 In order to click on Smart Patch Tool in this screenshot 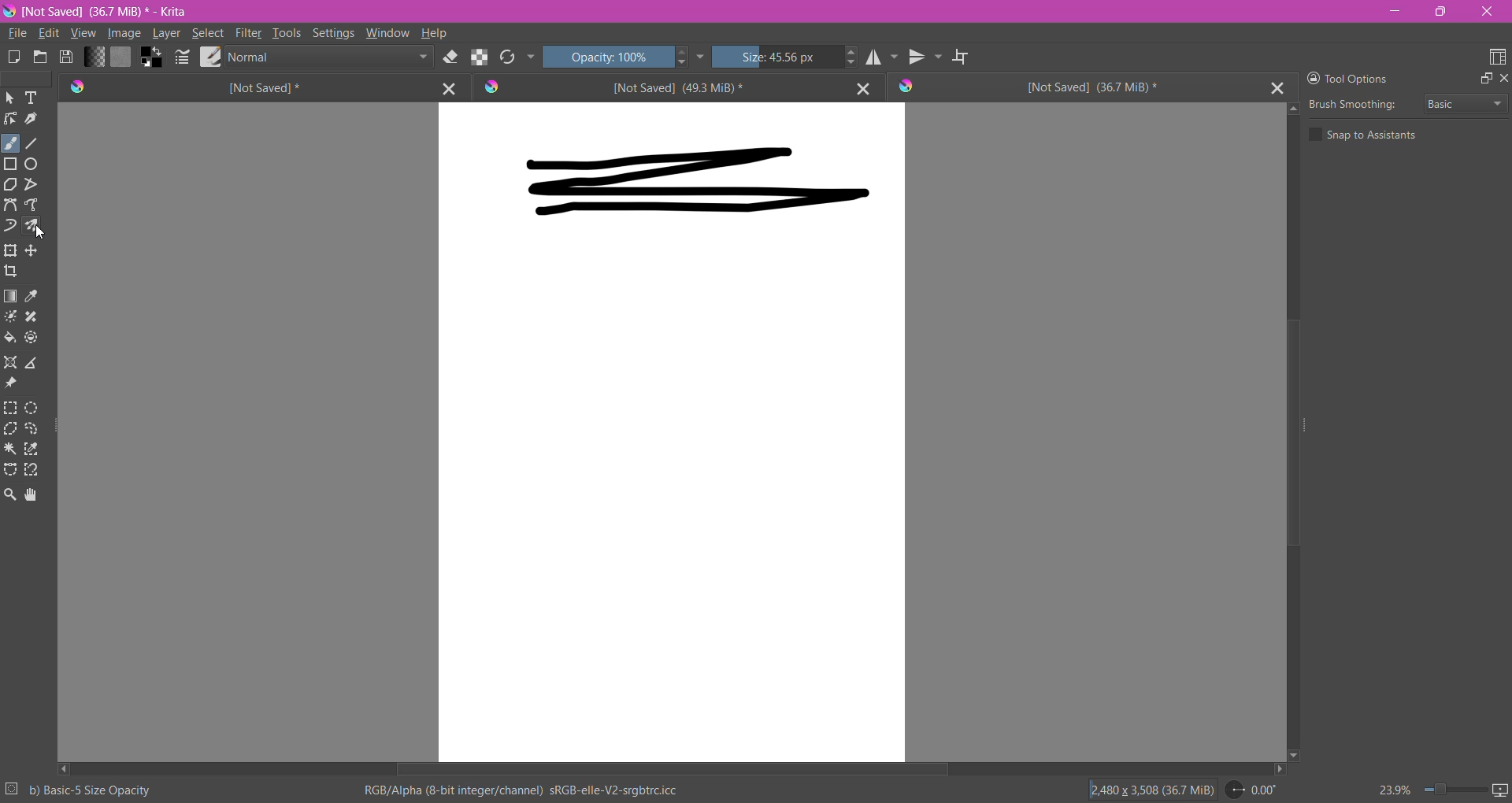, I will do `click(32, 317)`.